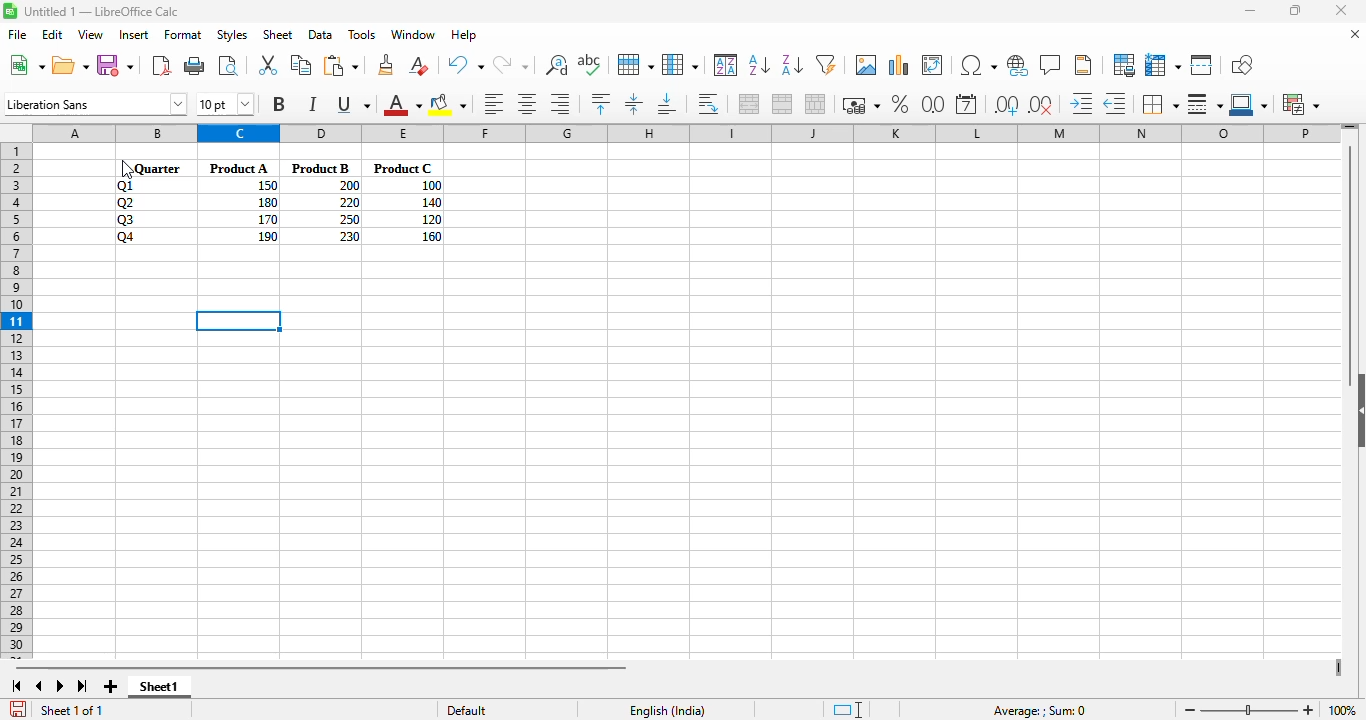  What do you see at coordinates (966, 104) in the screenshot?
I see `format as date` at bounding box center [966, 104].